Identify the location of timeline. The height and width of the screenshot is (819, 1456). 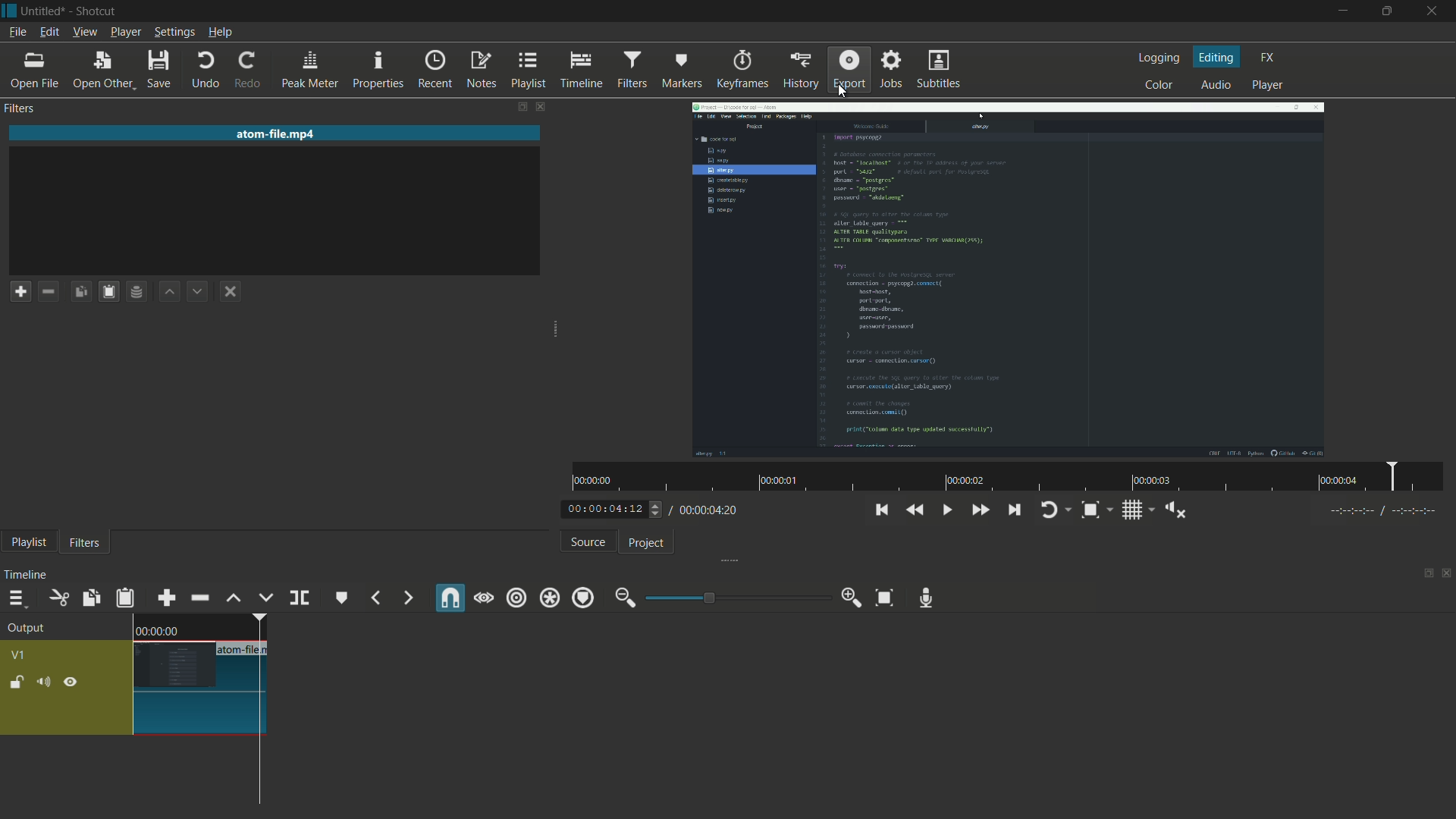
(25, 577).